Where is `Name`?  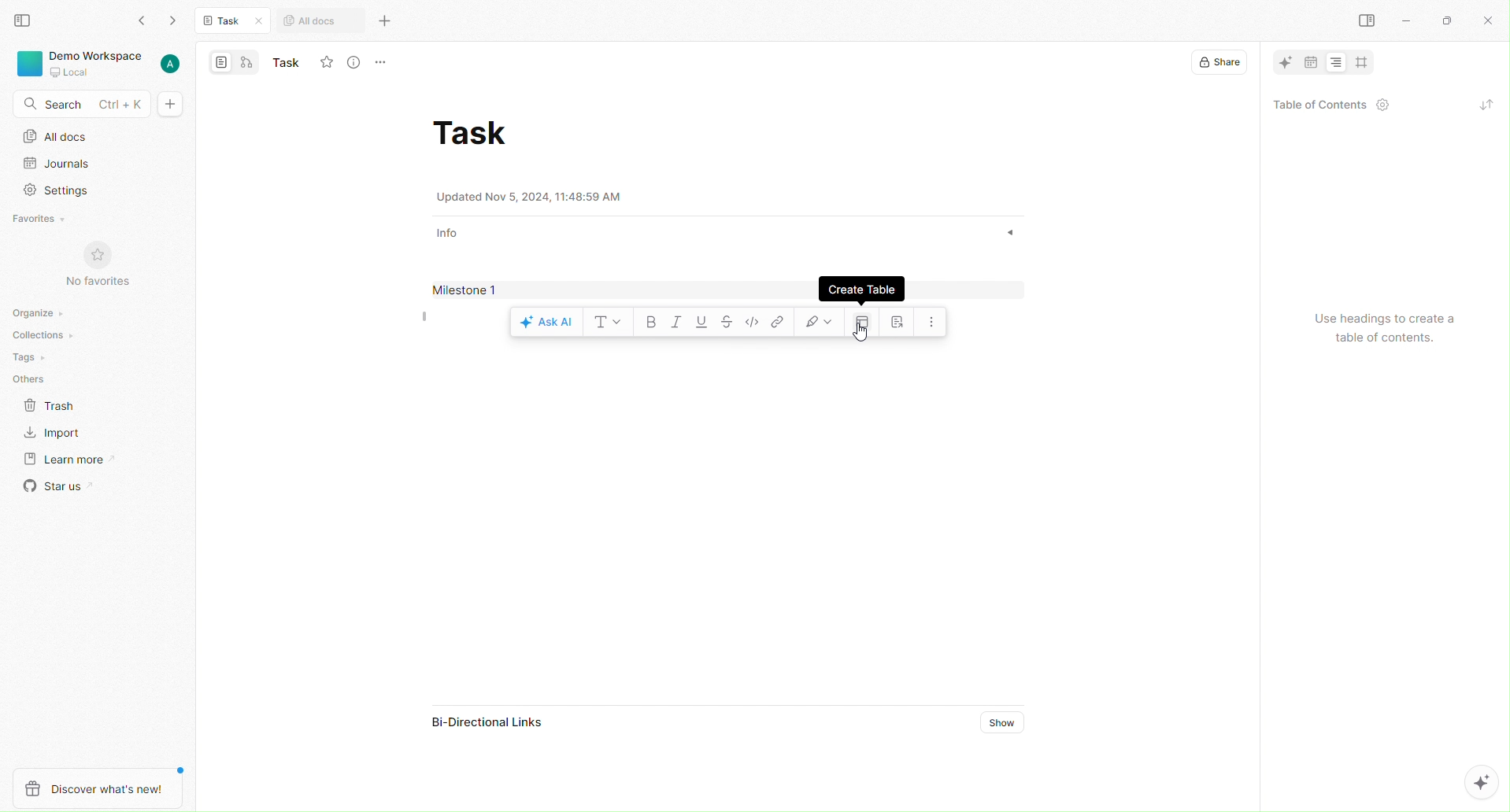
Name is located at coordinates (287, 63).